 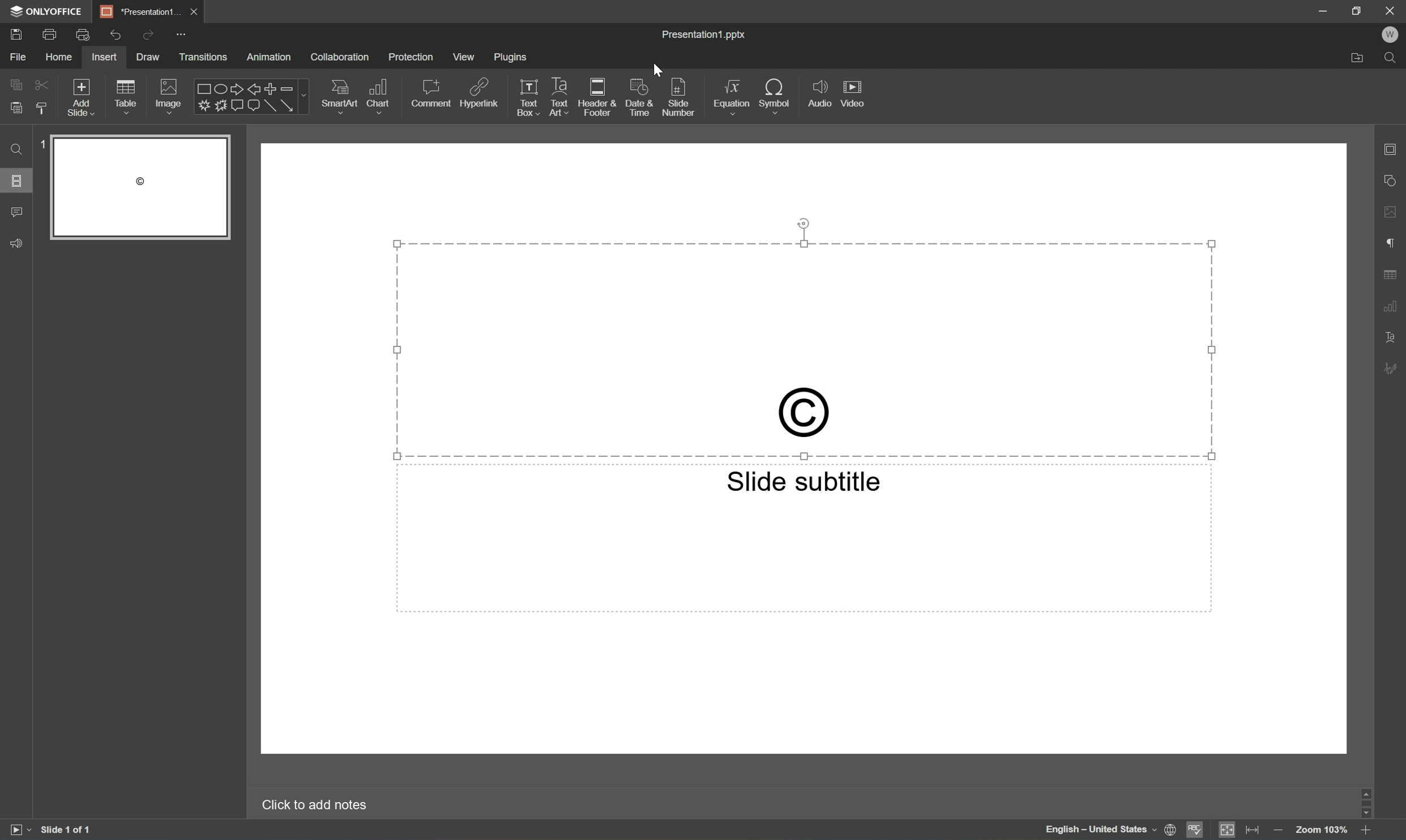 I want to click on Scroll Up, so click(x=1363, y=790).